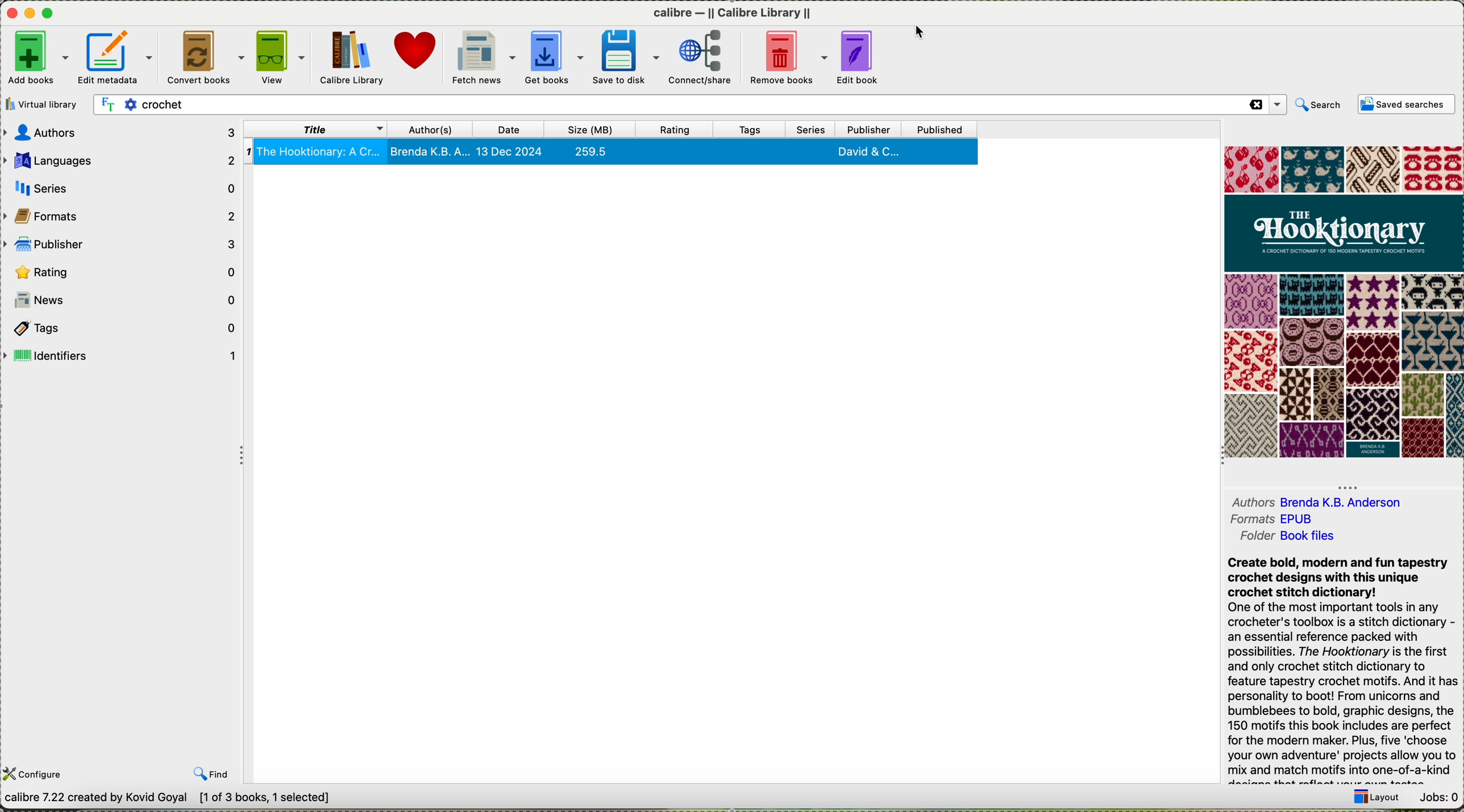 Image resolution: width=1464 pixels, height=812 pixels. I want to click on David & C, so click(868, 151).